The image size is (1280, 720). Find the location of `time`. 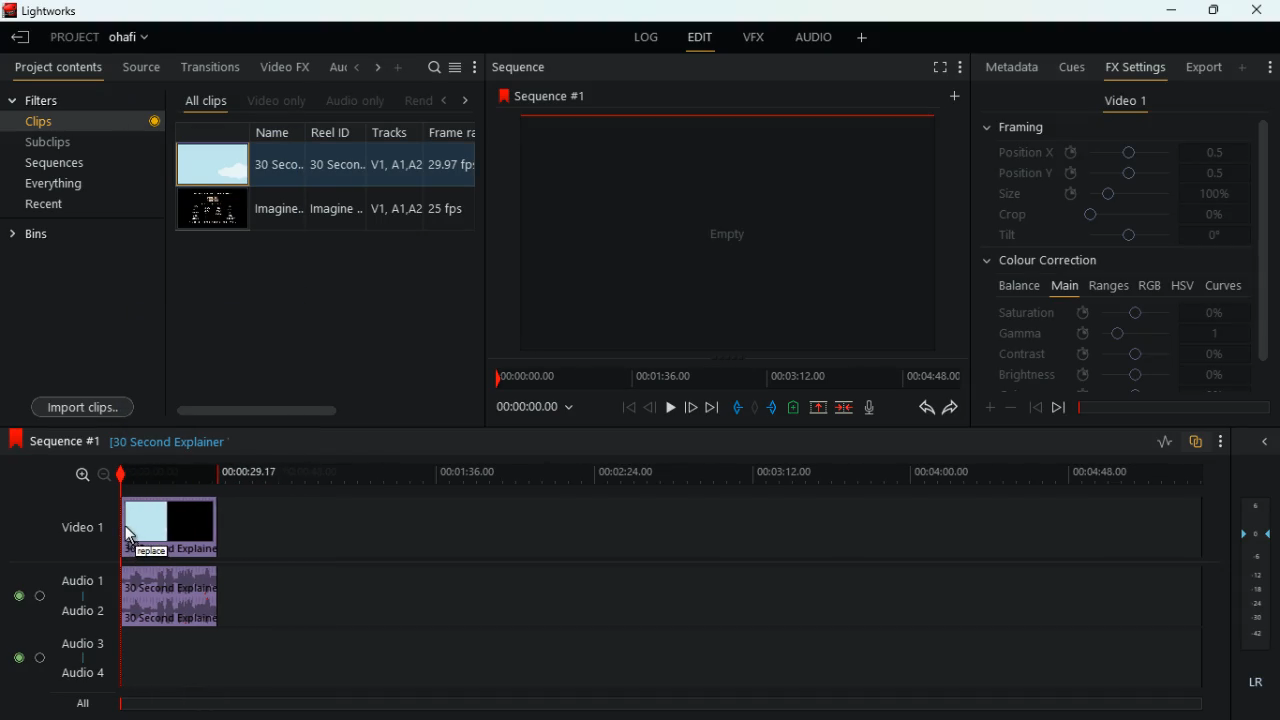

time is located at coordinates (724, 378).